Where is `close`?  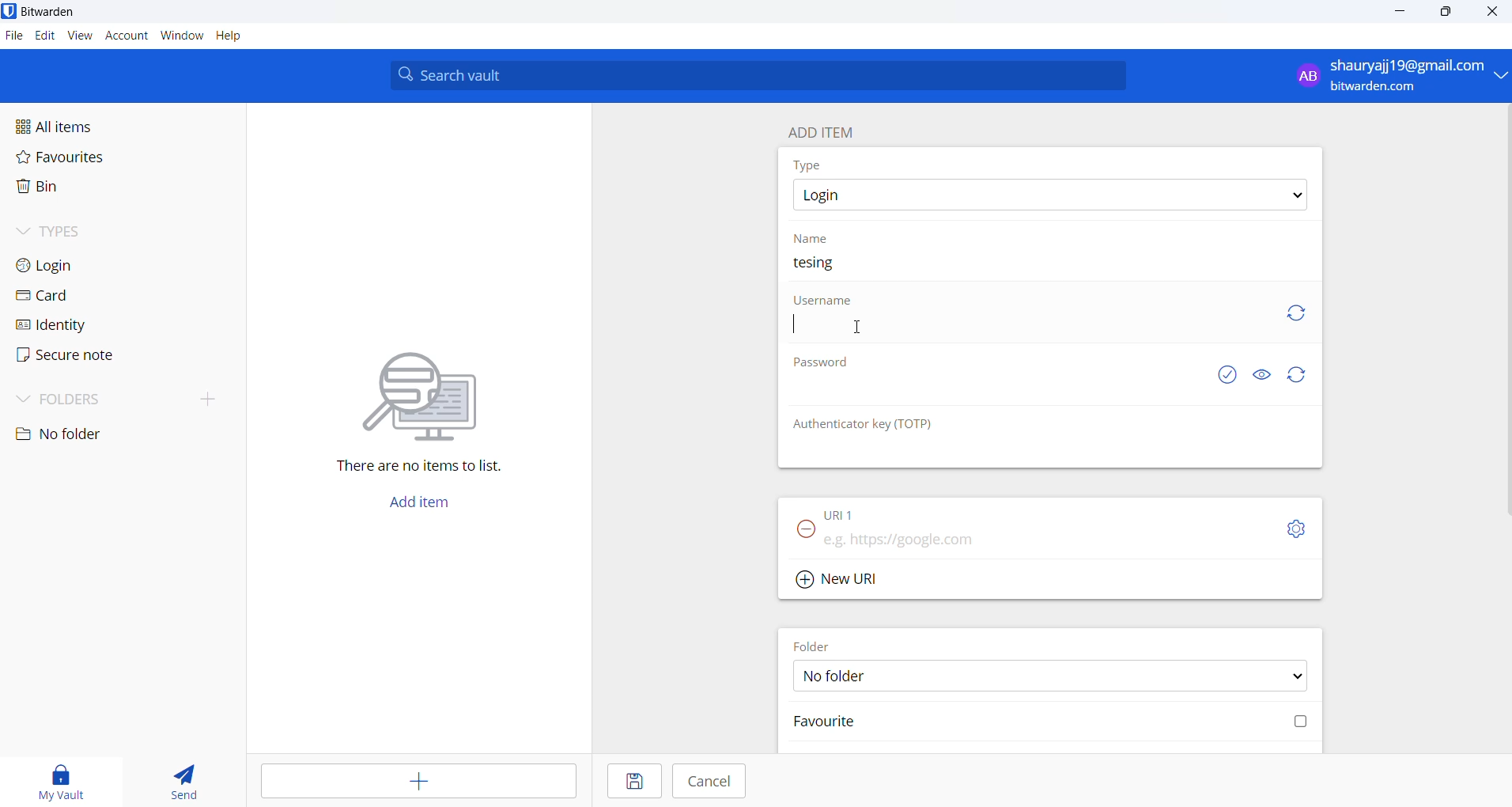 close is located at coordinates (1493, 13).